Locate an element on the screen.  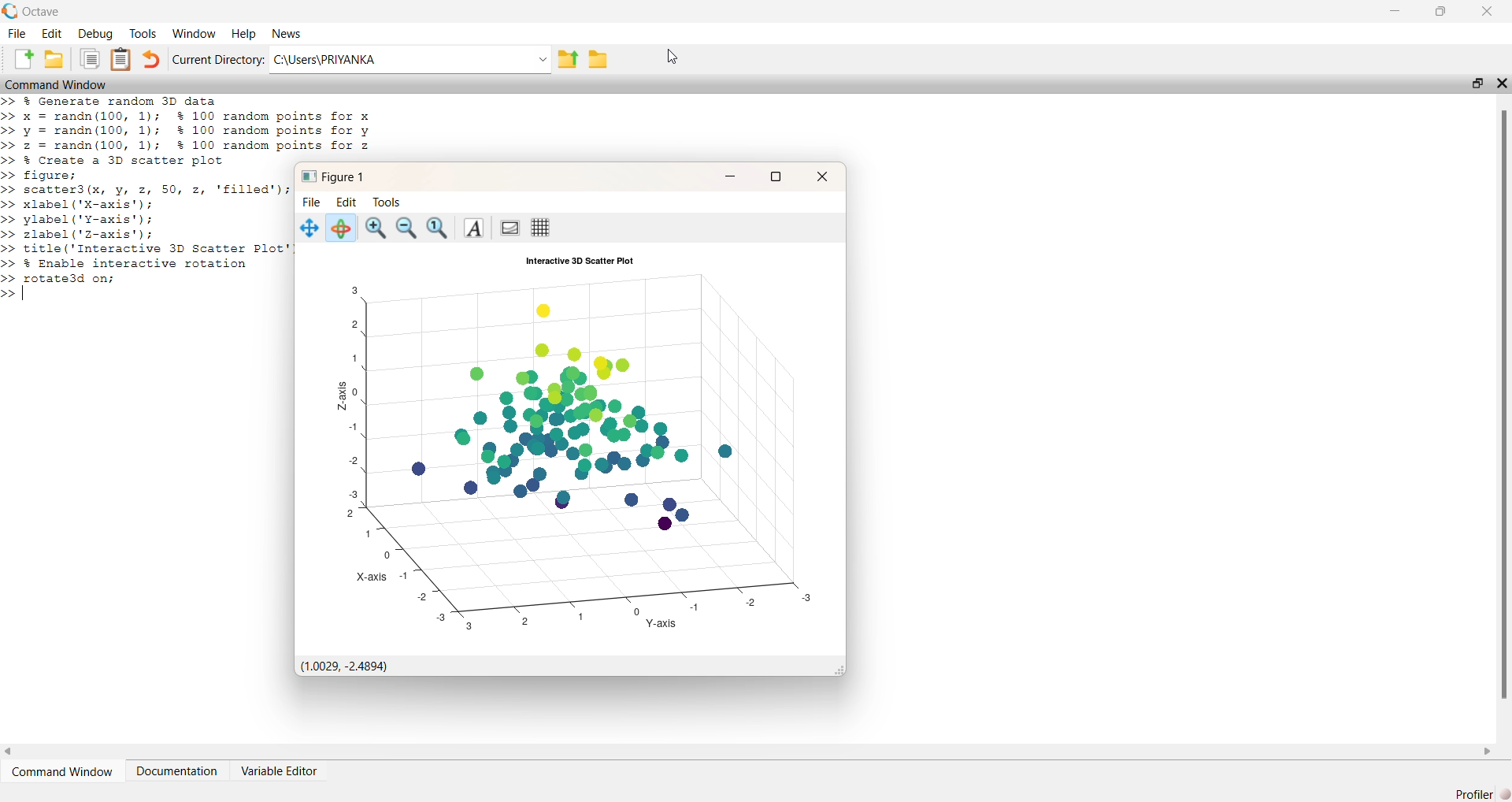
File is located at coordinates (312, 202).